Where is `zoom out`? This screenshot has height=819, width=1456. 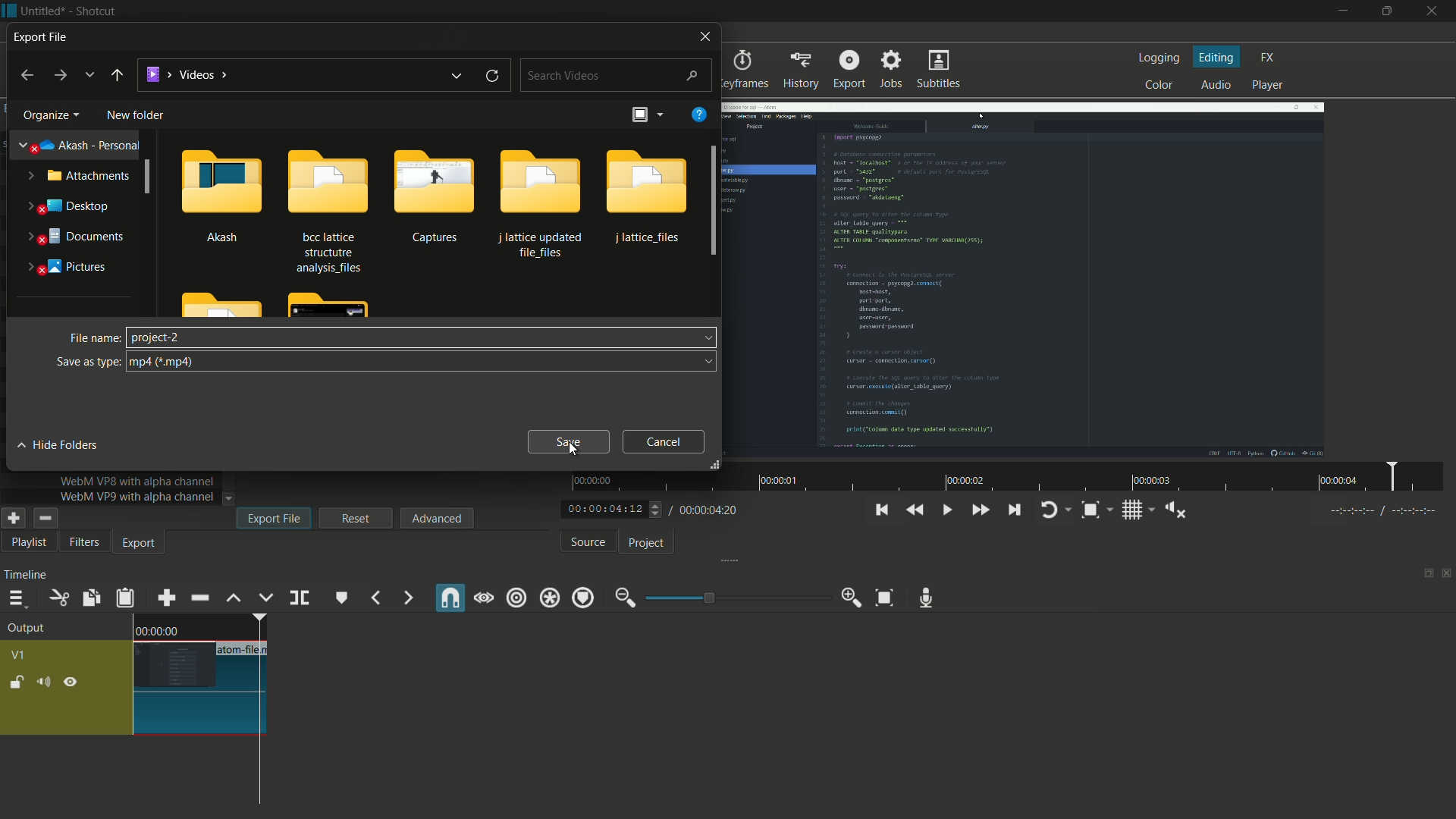
zoom out is located at coordinates (623, 598).